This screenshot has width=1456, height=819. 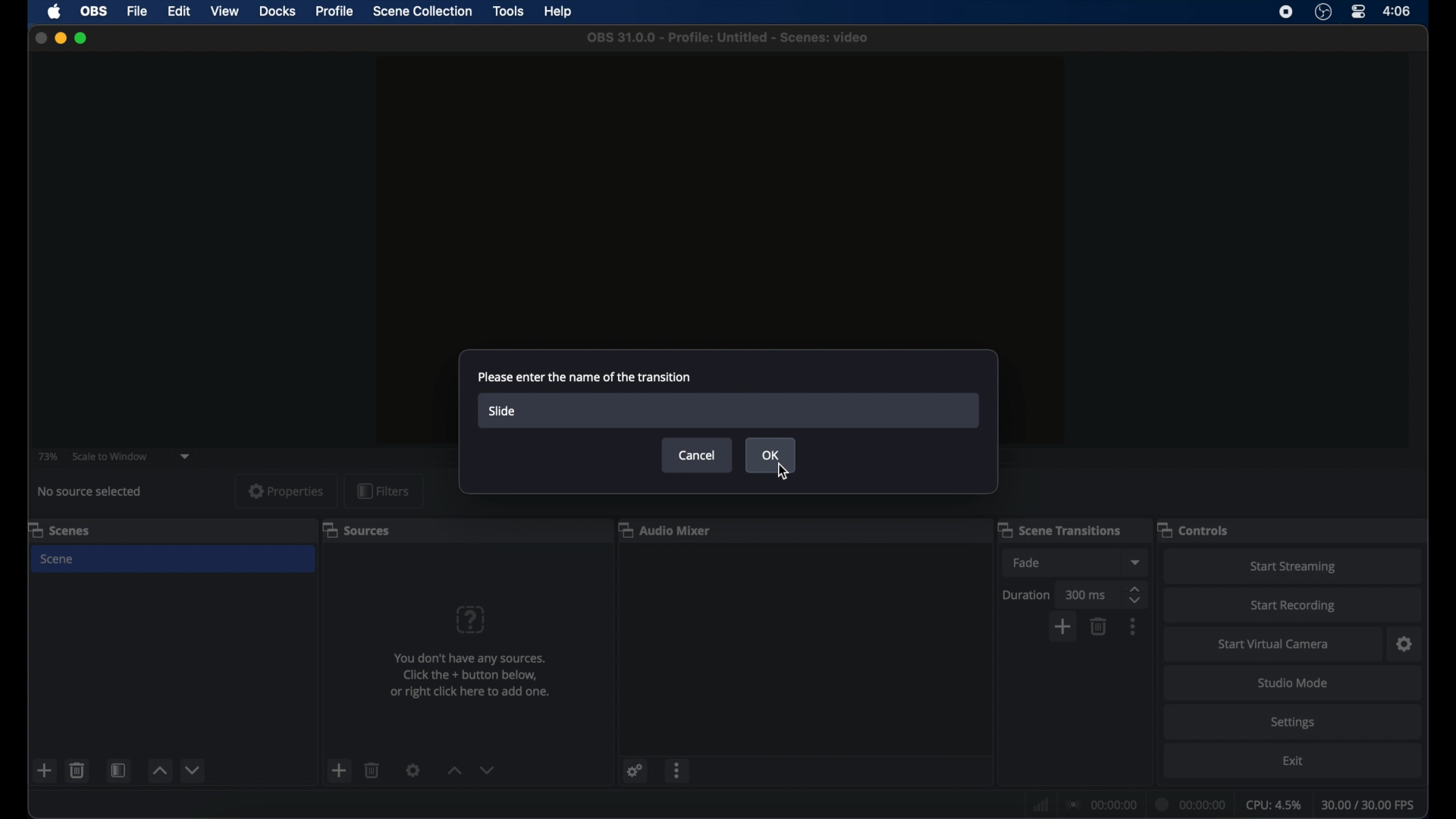 I want to click on increment, so click(x=453, y=770).